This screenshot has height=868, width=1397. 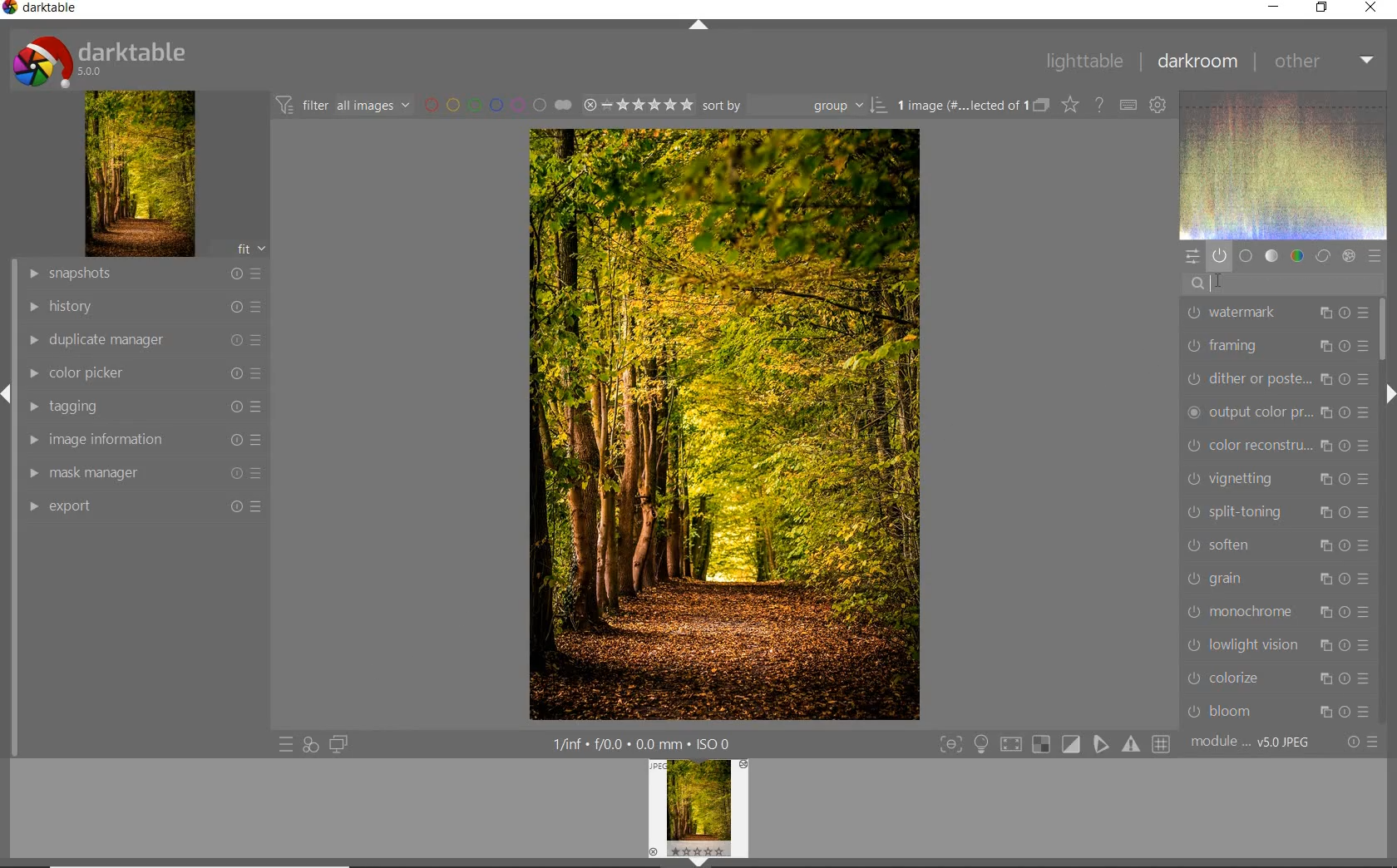 What do you see at coordinates (1275, 547) in the screenshot?
I see `soften` at bounding box center [1275, 547].